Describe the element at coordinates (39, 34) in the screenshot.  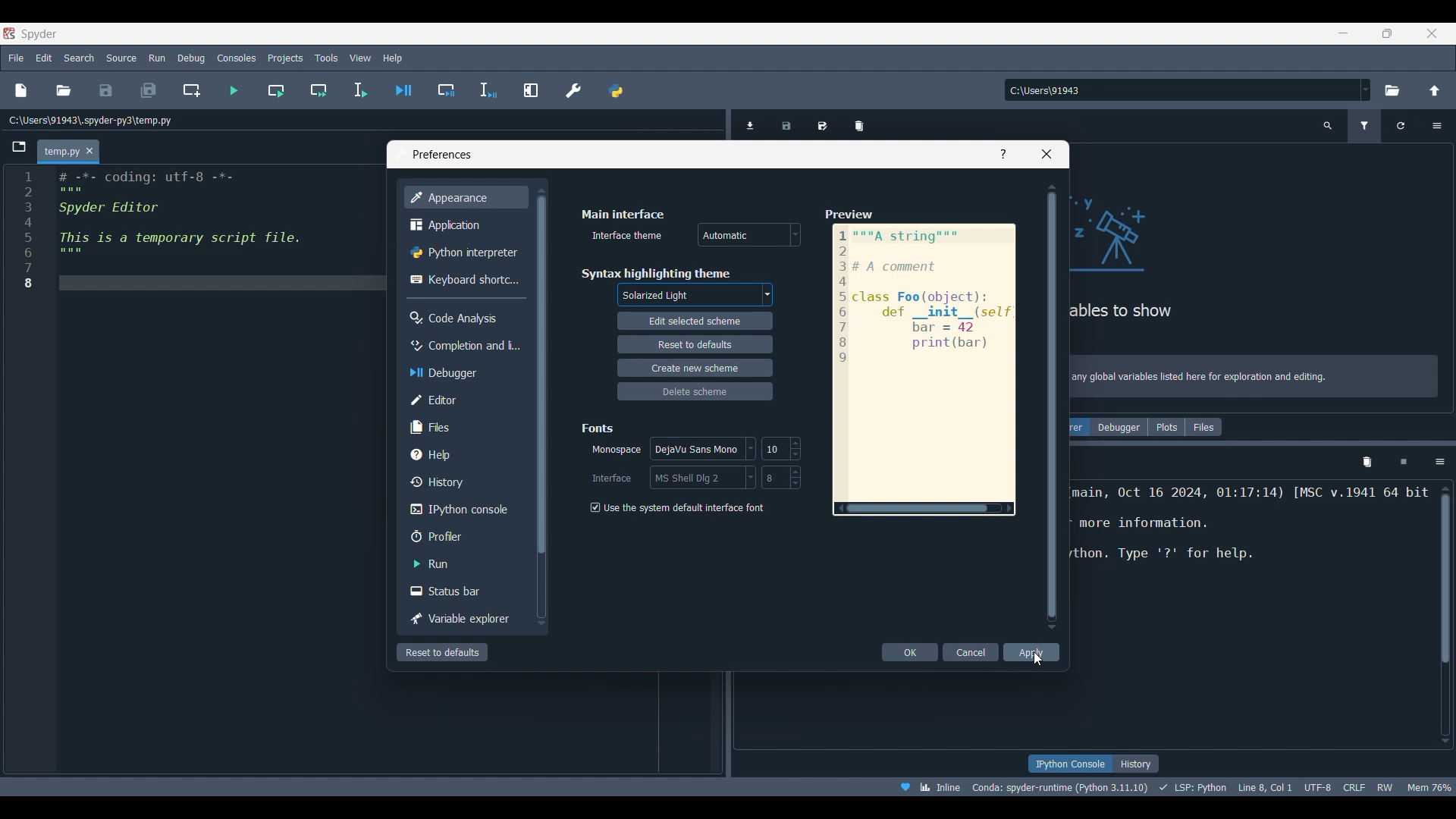
I see `Software logo` at that location.